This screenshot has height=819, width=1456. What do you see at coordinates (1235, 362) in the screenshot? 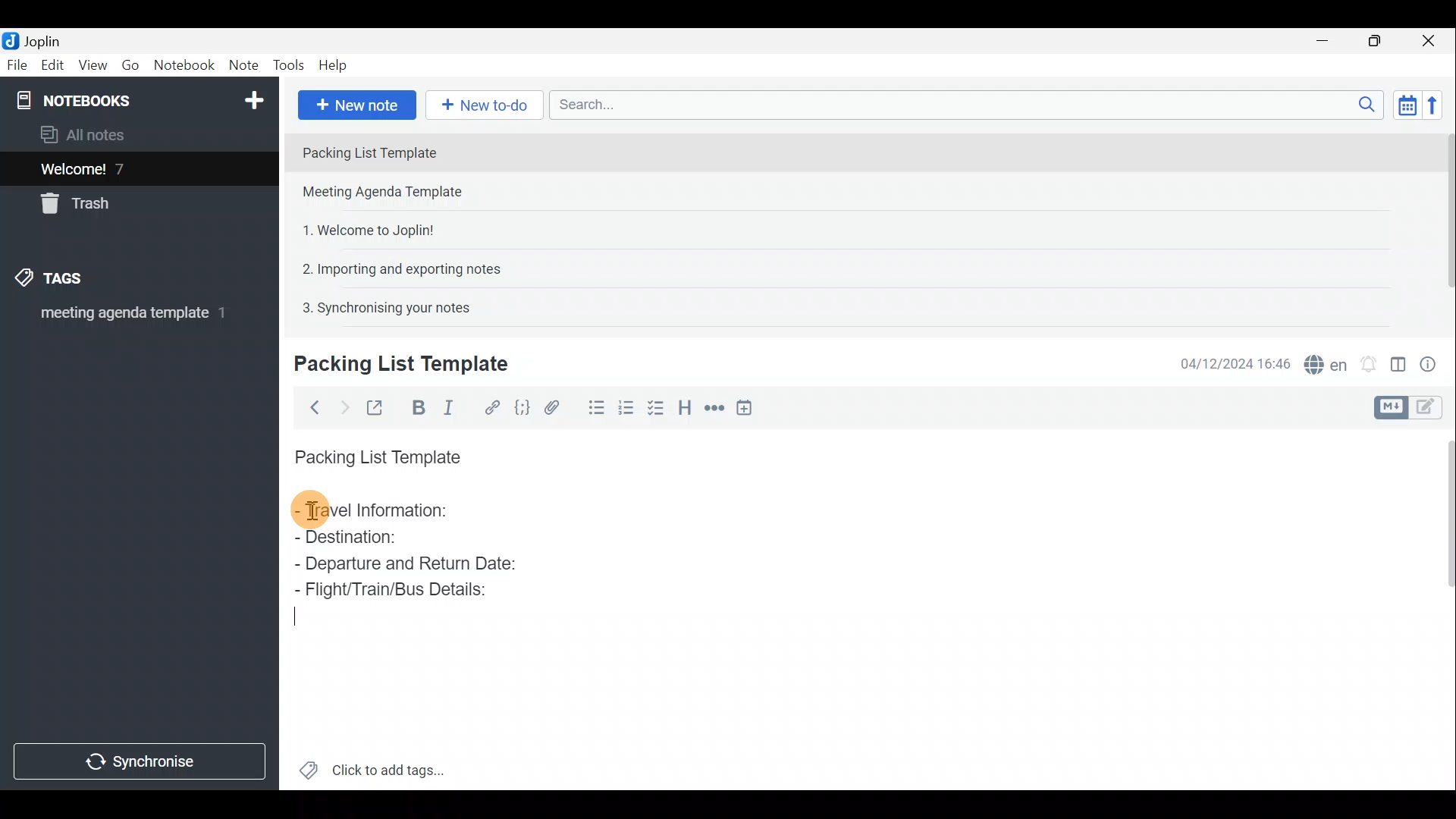
I see `Date & time` at bounding box center [1235, 362].